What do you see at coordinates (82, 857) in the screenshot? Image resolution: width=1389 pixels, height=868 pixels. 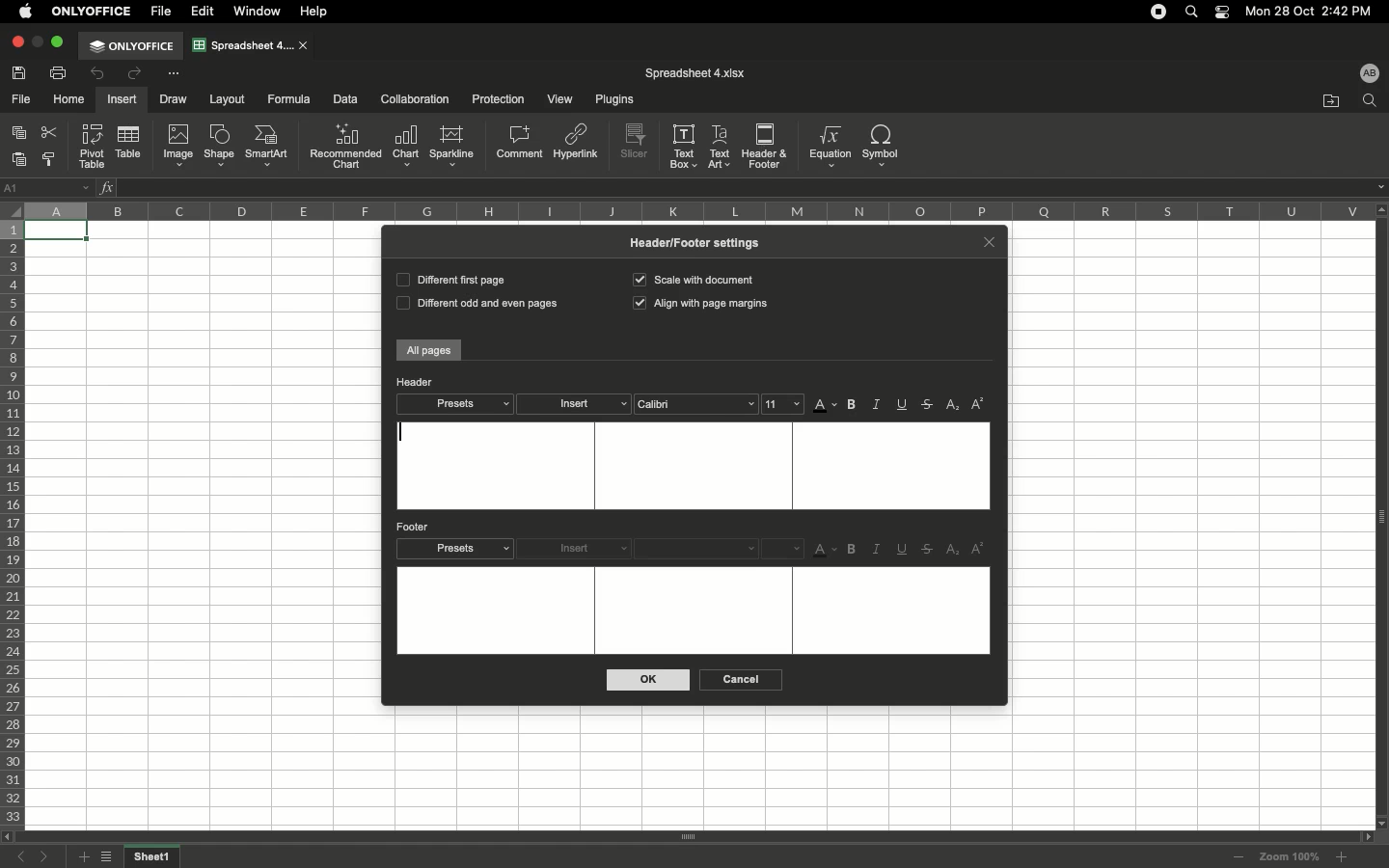 I see `Add sheet` at bounding box center [82, 857].